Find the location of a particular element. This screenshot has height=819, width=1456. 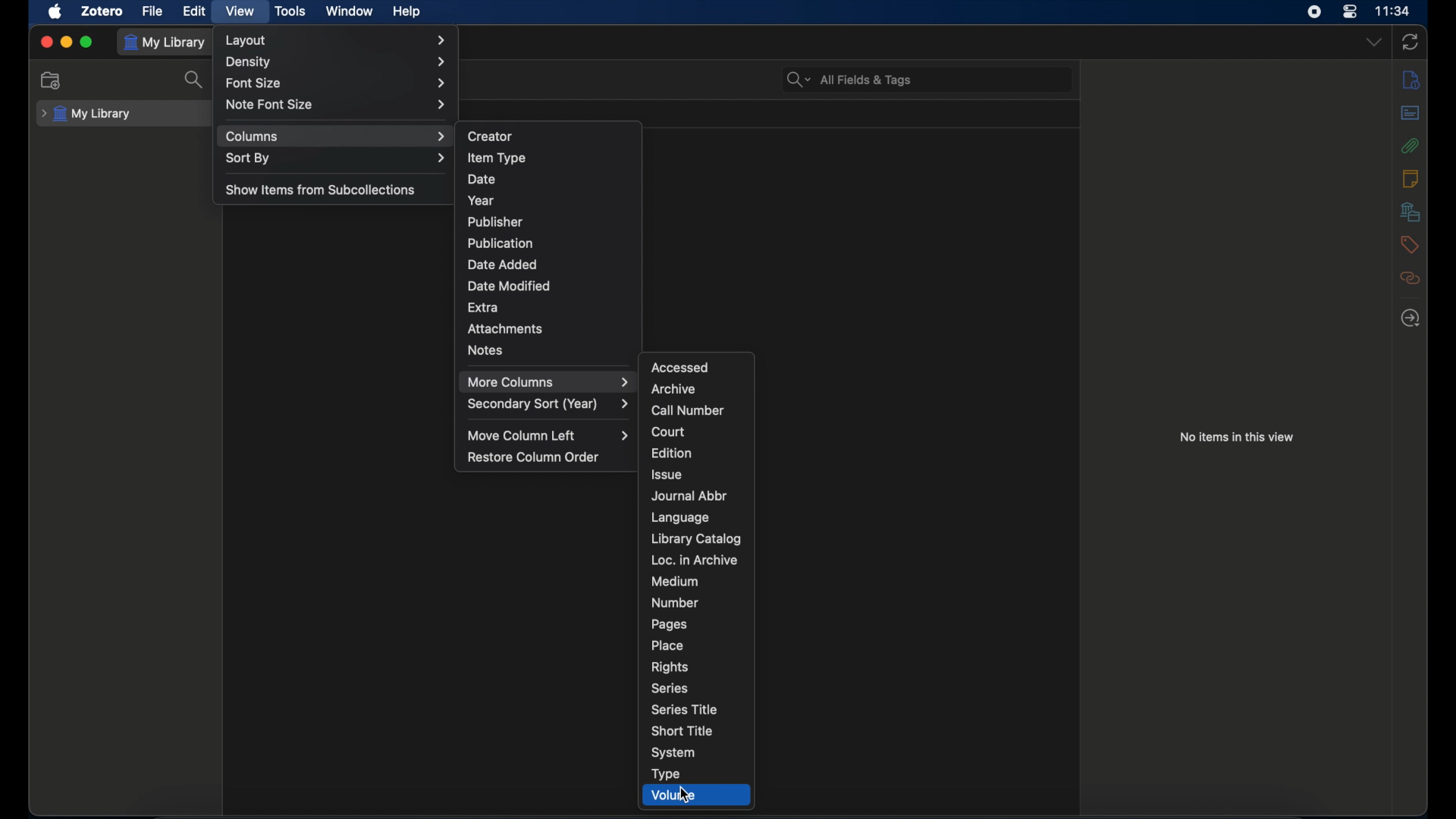

series is located at coordinates (670, 688).